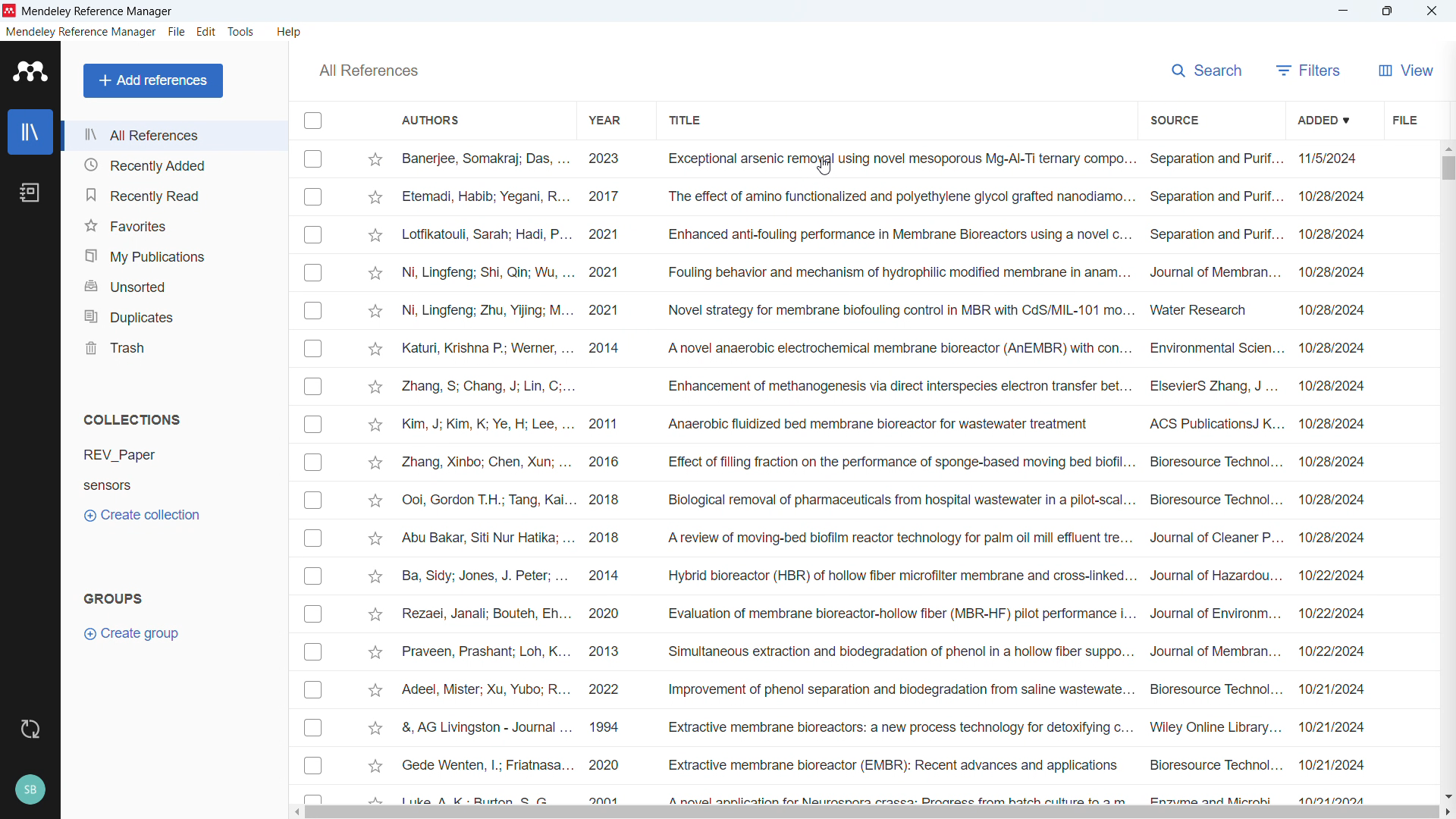  Describe the element at coordinates (173, 224) in the screenshot. I see `favorites` at that location.